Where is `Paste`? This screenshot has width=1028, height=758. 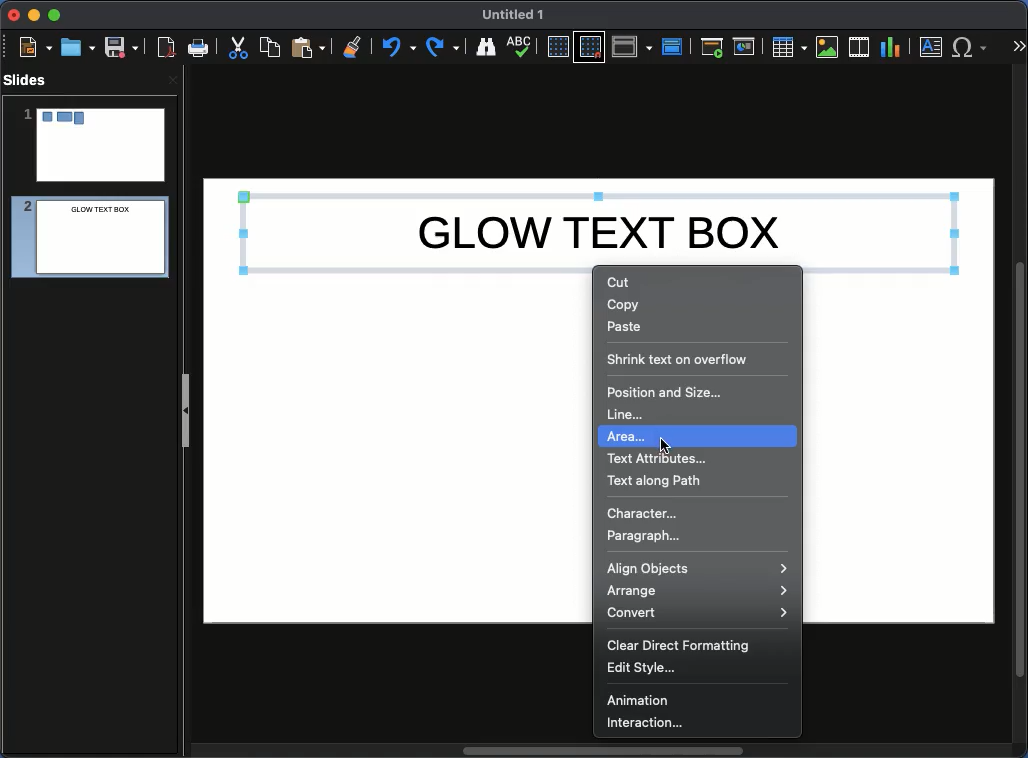 Paste is located at coordinates (626, 326).